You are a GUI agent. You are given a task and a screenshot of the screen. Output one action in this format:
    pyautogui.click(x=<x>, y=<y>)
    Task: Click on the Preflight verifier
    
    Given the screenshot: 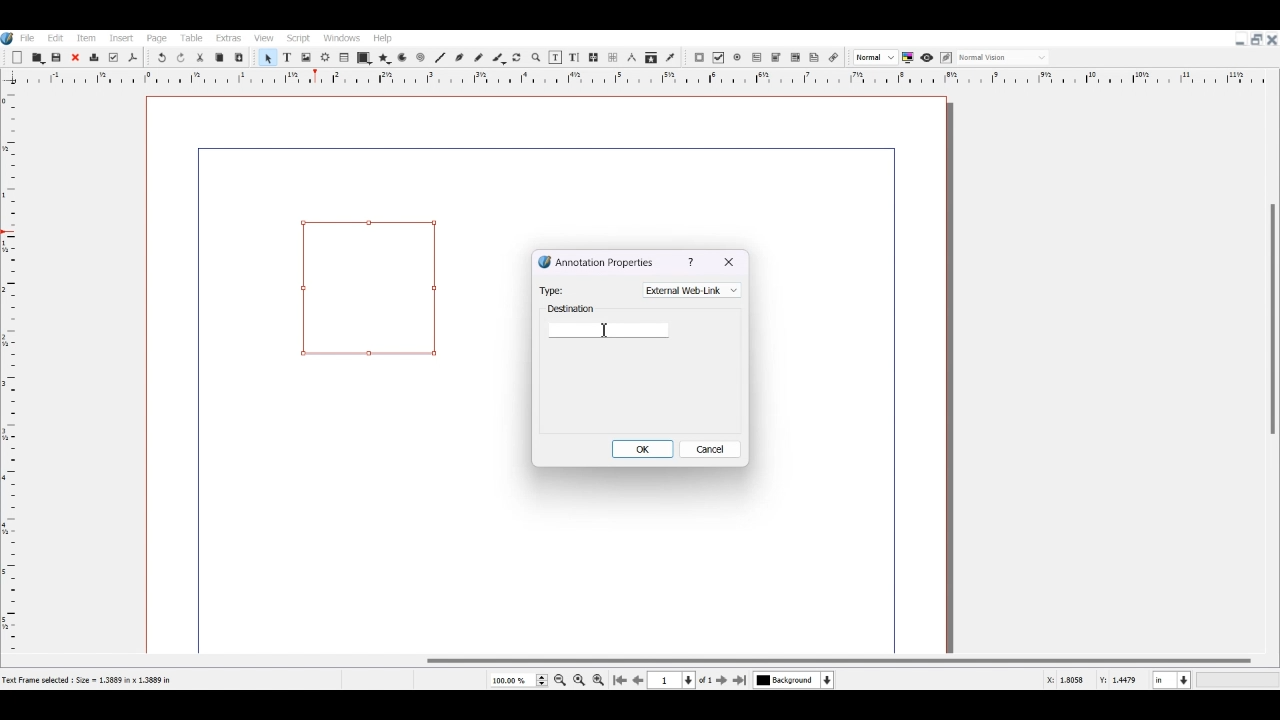 What is the action you would take?
    pyautogui.click(x=113, y=58)
    